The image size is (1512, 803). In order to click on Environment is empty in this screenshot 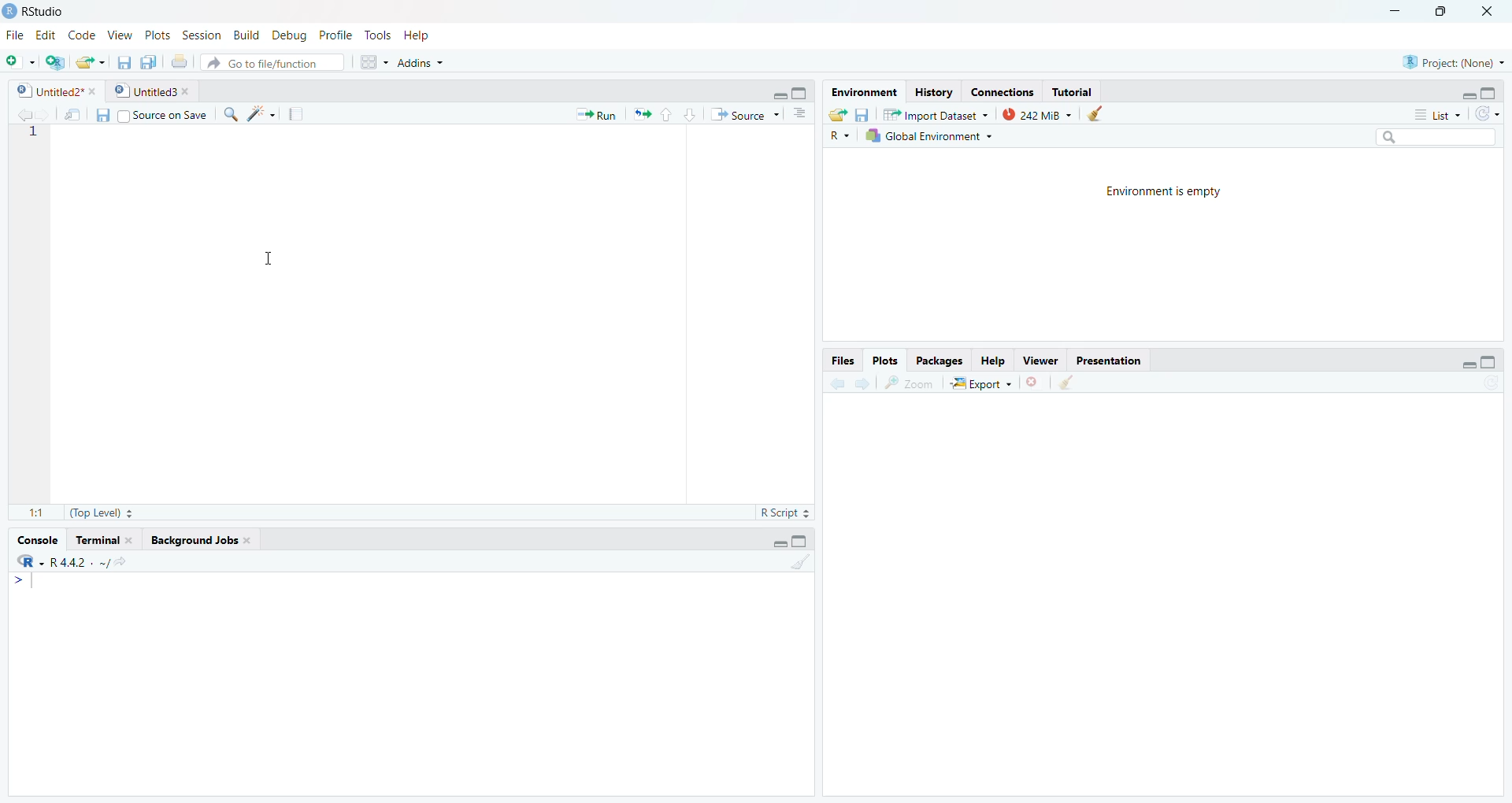, I will do `click(1156, 189)`.